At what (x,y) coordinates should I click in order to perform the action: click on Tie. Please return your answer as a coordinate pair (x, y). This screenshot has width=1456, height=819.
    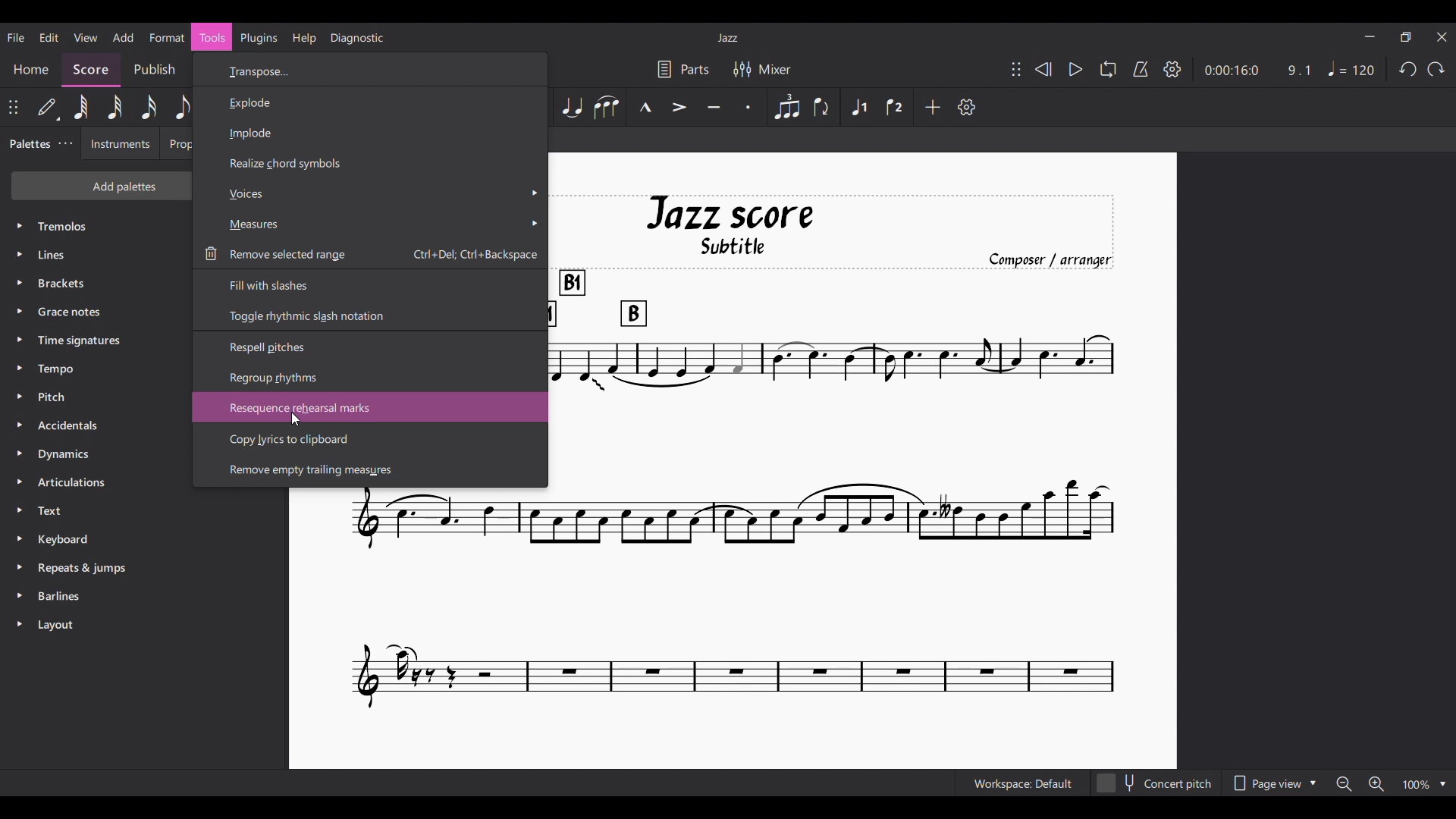
    Looking at the image, I should click on (572, 107).